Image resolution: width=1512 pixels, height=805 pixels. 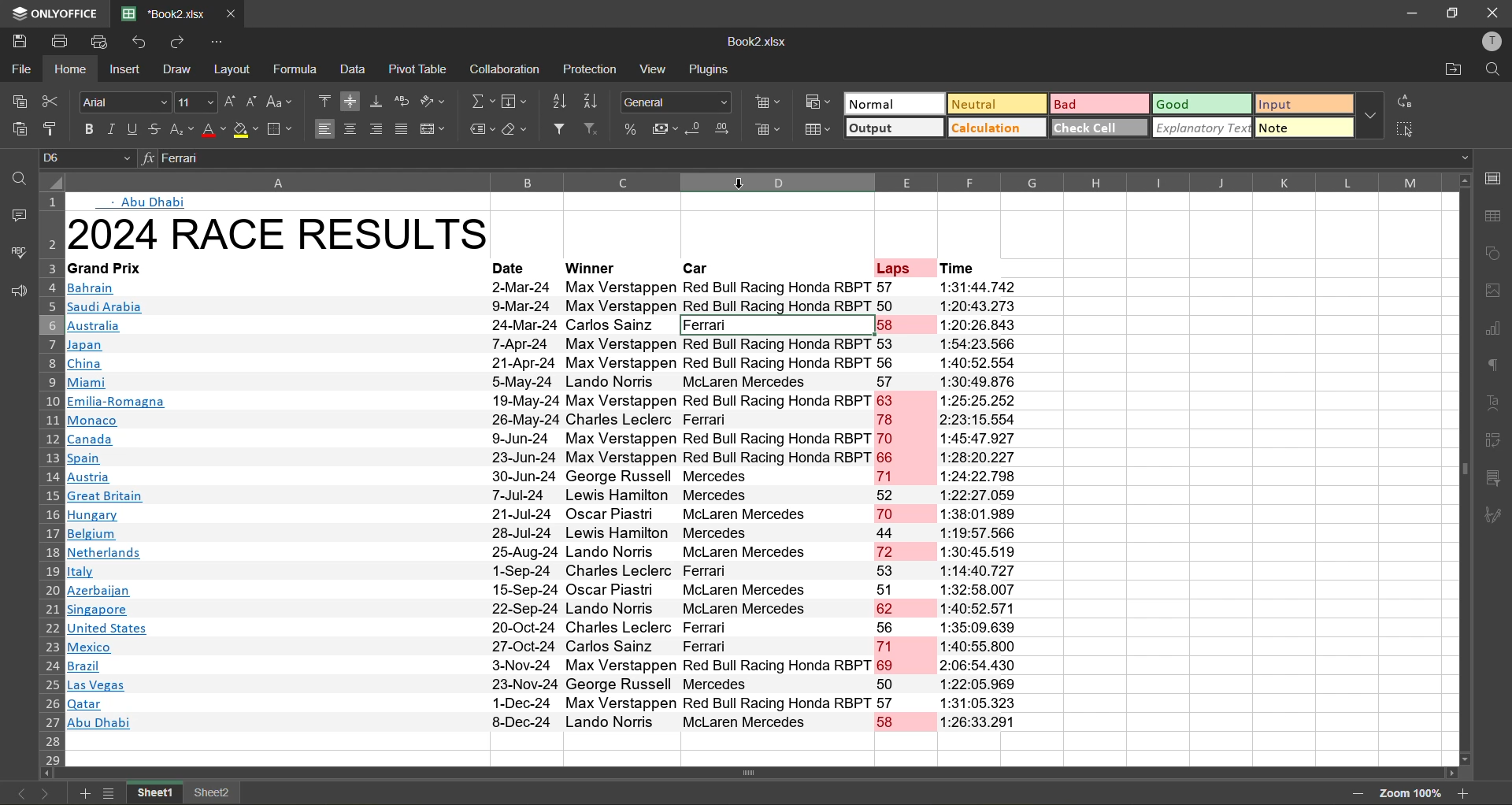 I want to click on delete cells, so click(x=771, y=129).